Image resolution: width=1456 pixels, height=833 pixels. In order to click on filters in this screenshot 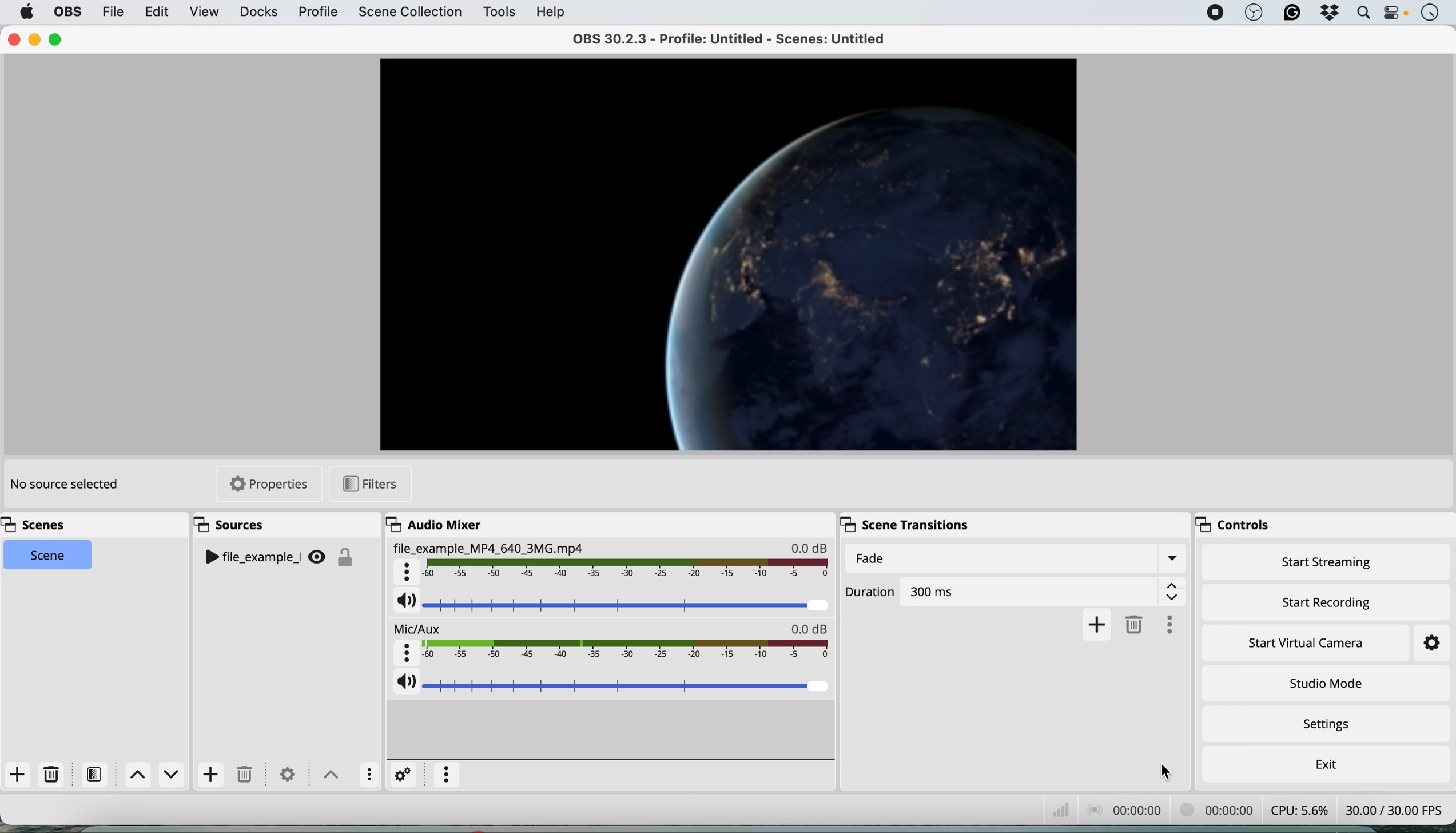, I will do `click(98, 774)`.